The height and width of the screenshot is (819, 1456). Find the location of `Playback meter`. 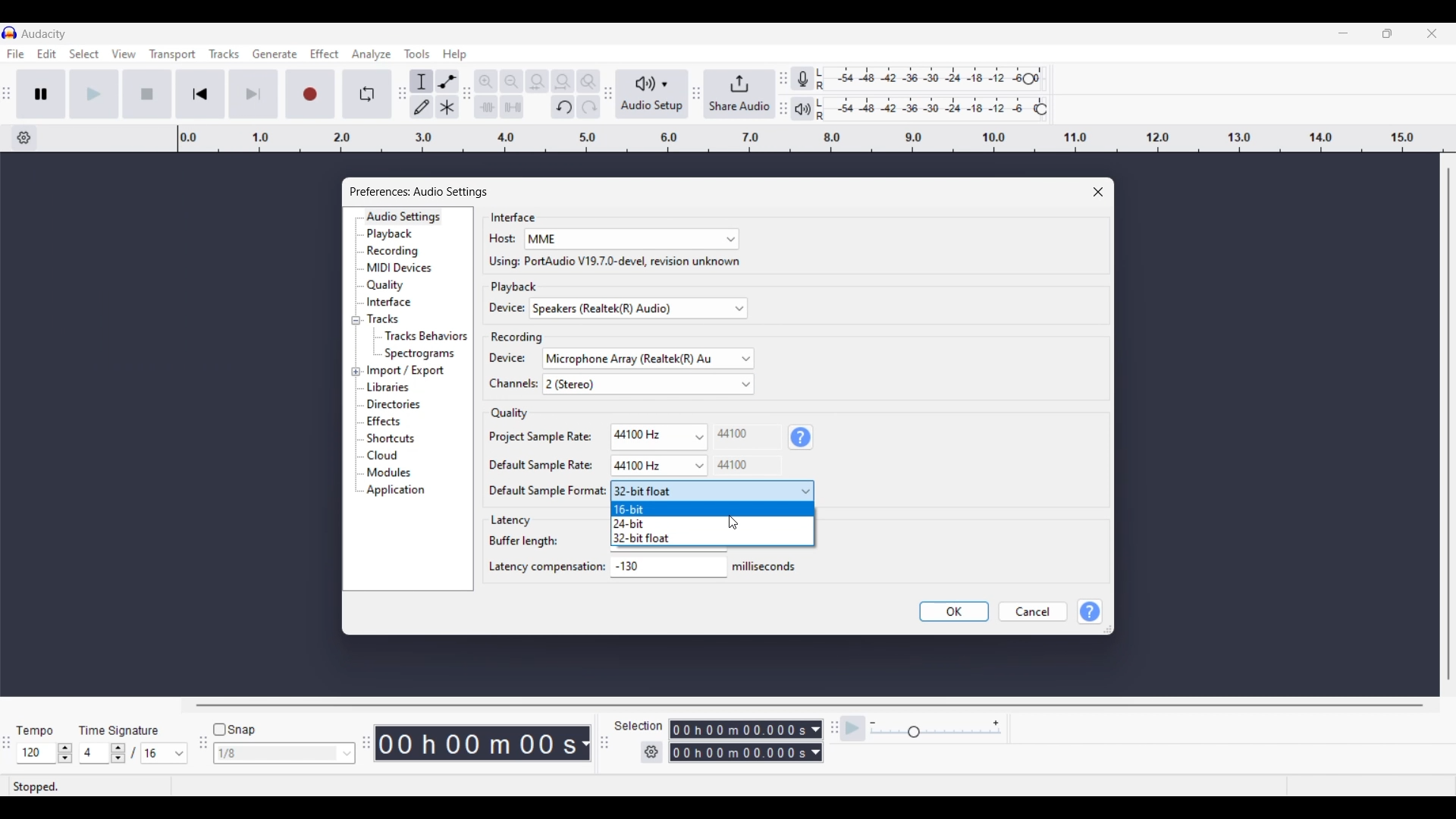

Playback meter is located at coordinates (809, 108).